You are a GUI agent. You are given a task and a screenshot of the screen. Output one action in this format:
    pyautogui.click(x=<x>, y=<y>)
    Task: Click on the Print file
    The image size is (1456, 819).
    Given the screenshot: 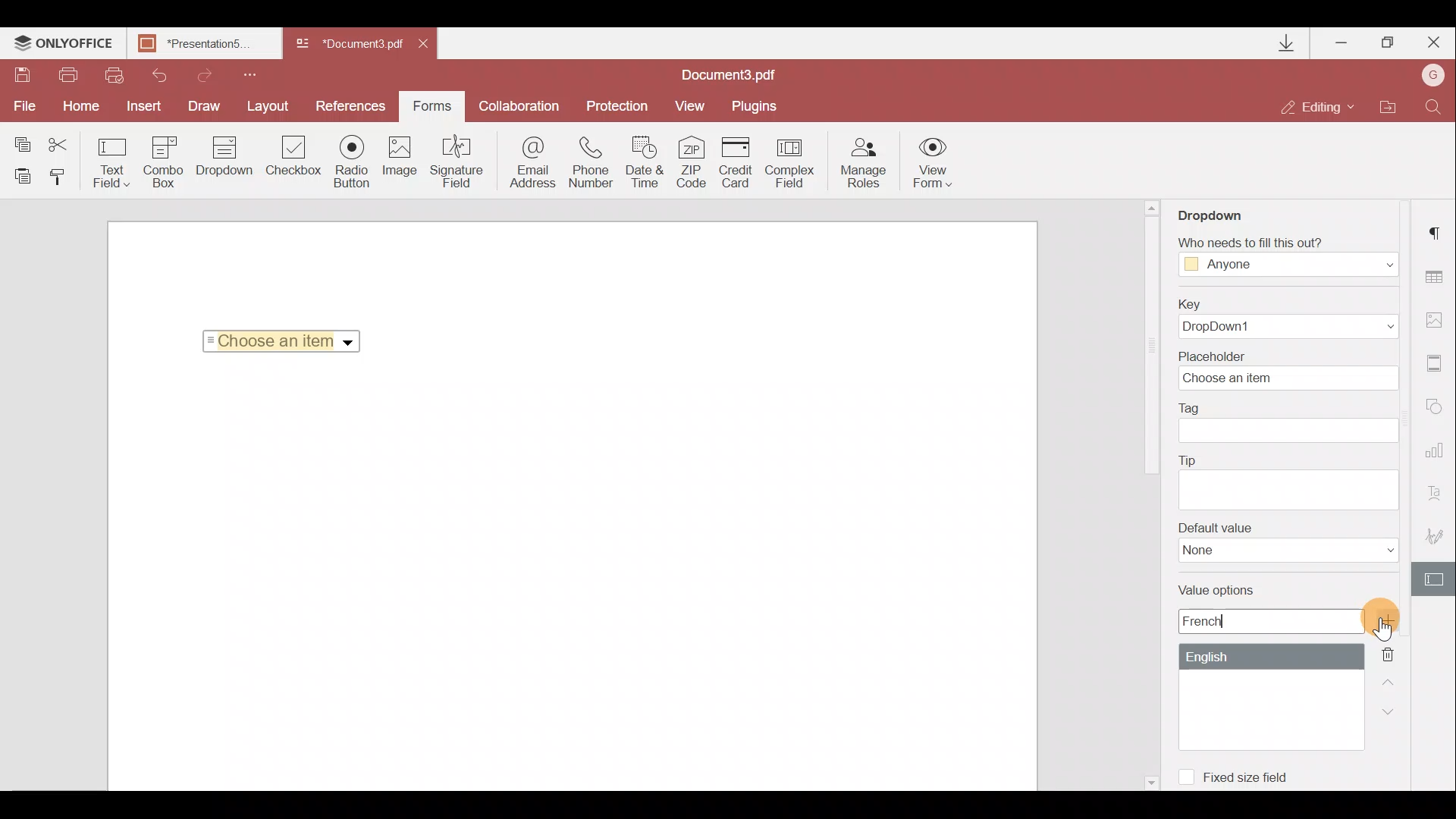 What is the action you would take?
    pyautogui.click(x=70, y=76)
    